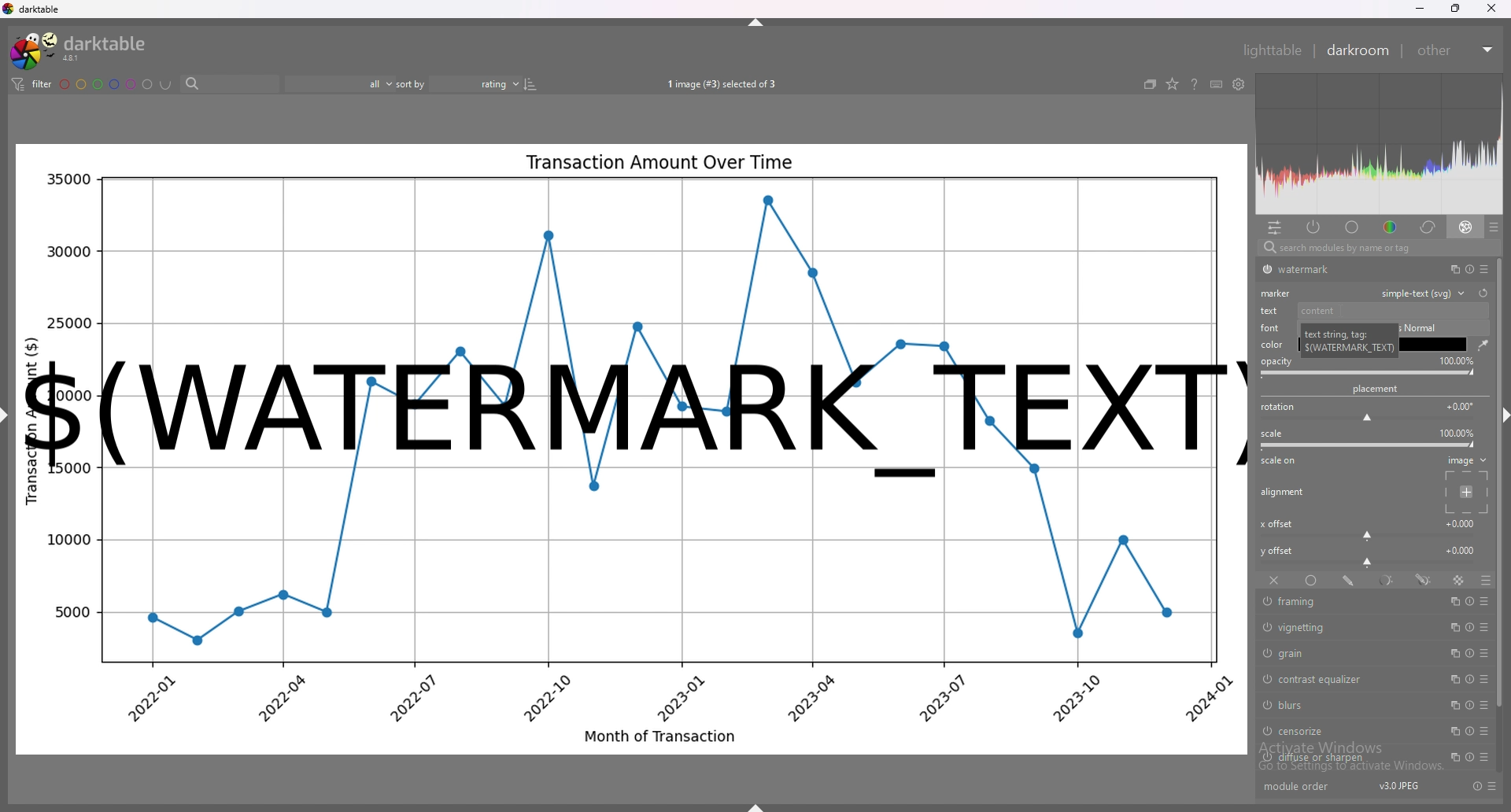 This screenshot has height=812, width=1511. What do you see at coordinates (1469, 706) in the screenshot?
I see `reset` at bounding box center [1469, 706].